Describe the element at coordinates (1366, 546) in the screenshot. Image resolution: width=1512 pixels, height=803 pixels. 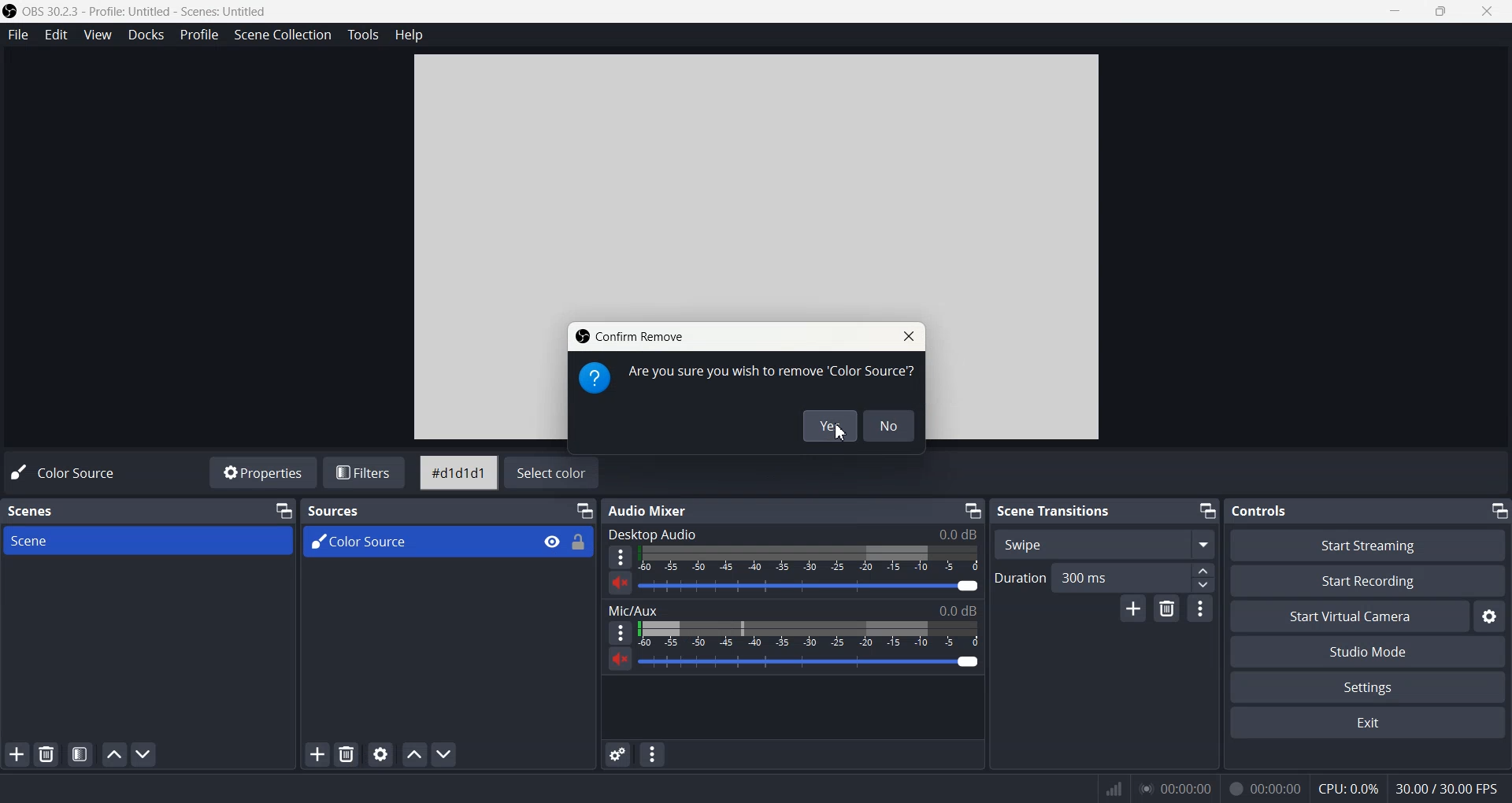
I see `Start Streaming` at that location.